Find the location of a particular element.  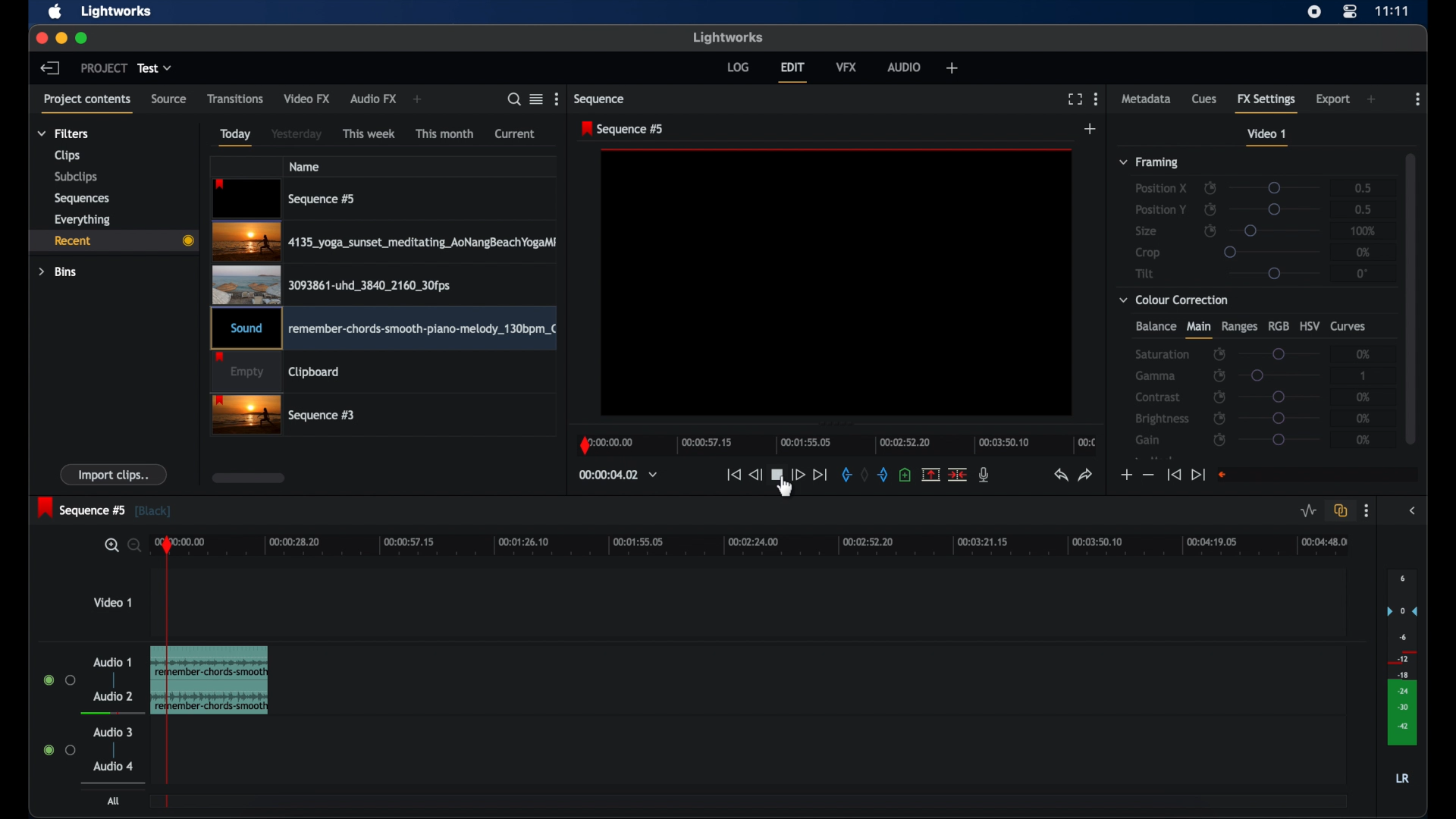

back is located at coordinates (50, 68).